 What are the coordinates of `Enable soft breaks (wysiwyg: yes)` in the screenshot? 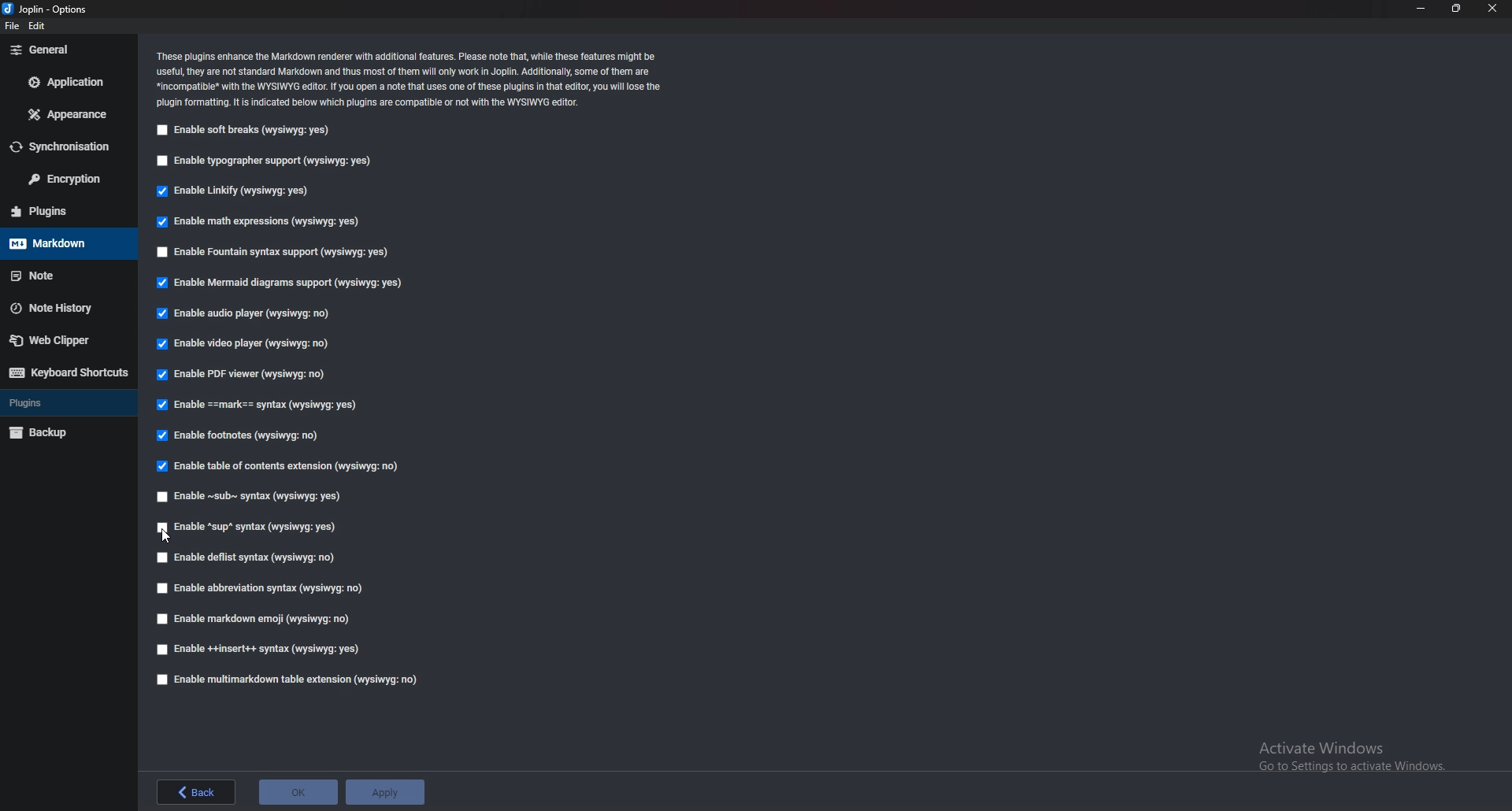 It's located at (249, 129).